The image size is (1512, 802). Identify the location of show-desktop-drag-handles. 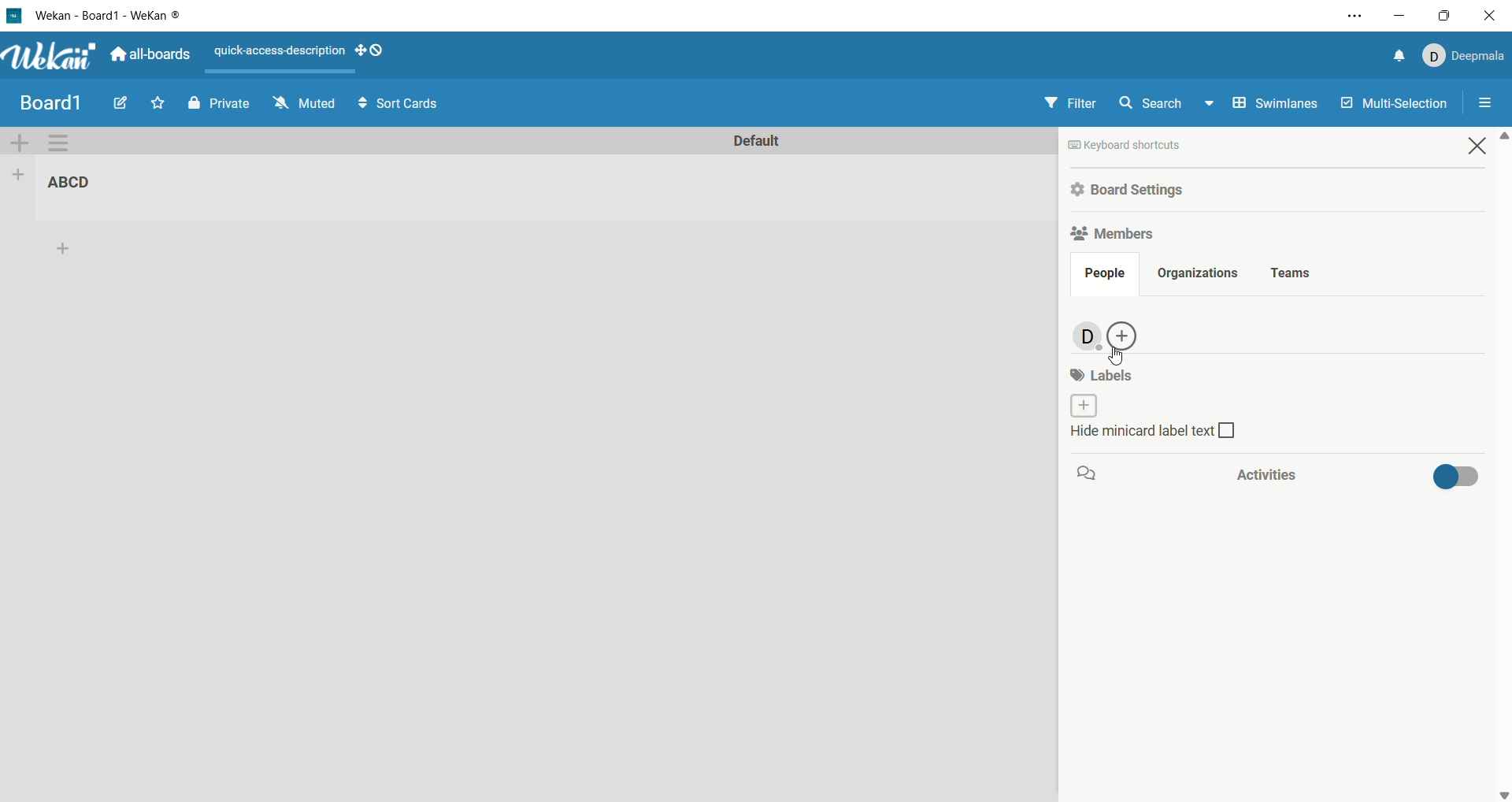
(361, 52).